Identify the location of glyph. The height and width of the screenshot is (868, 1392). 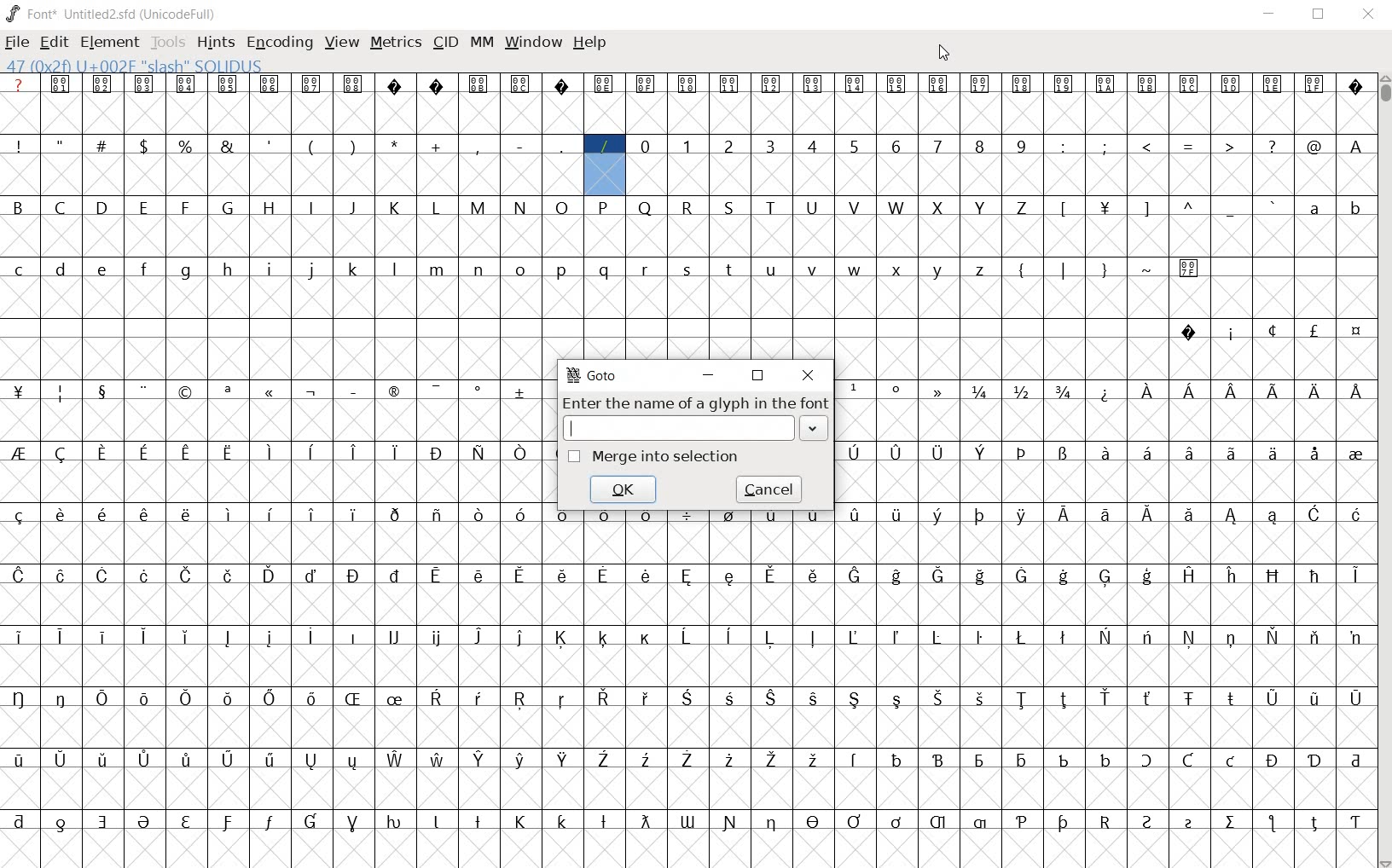
(604, 270).